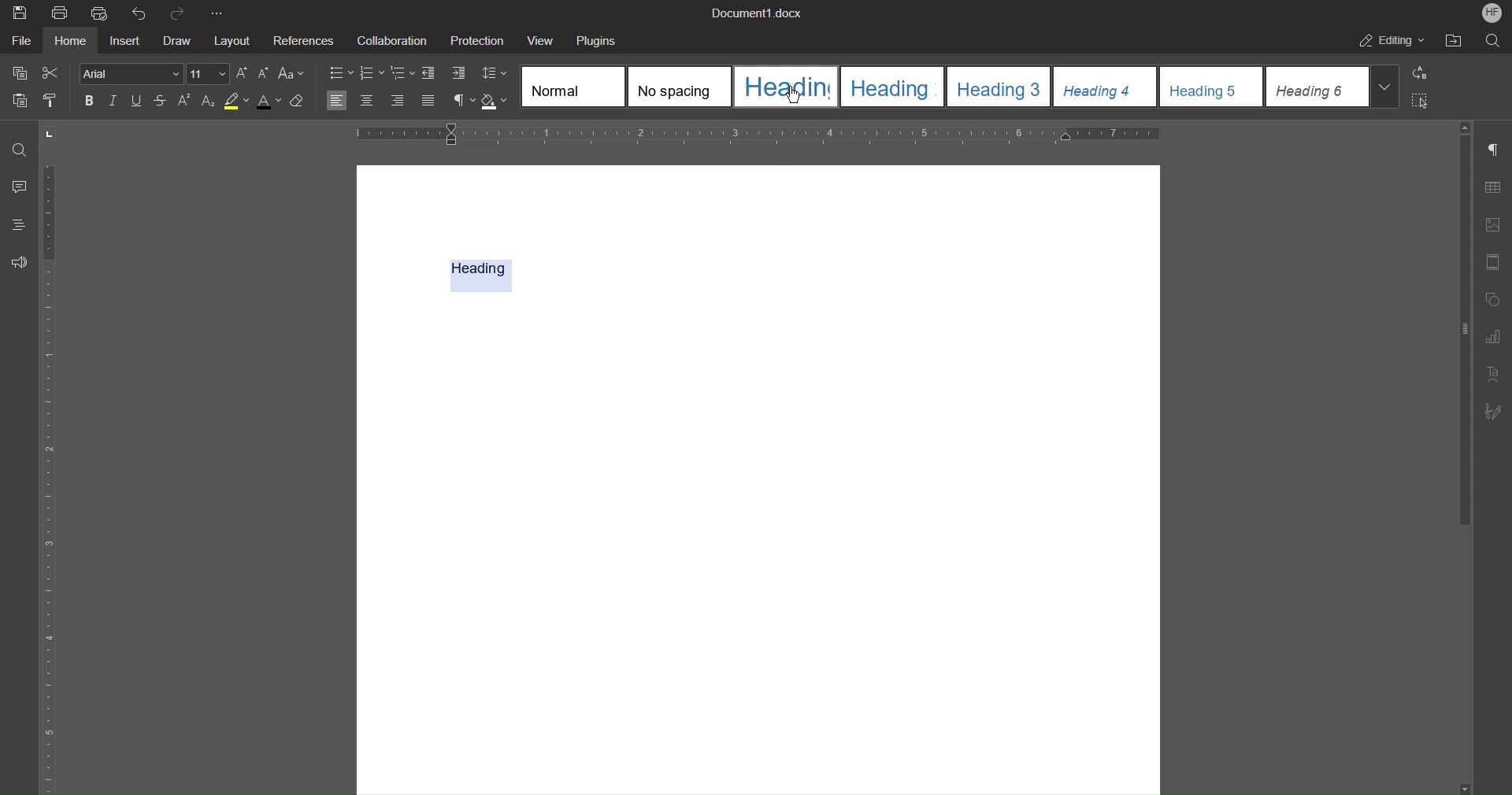 The width and height of the screenshot is (1512, 795). What do you see at coordinates (1424, 101) in the screenshot?
I see `Select All` at bounding box center [1424, 101].